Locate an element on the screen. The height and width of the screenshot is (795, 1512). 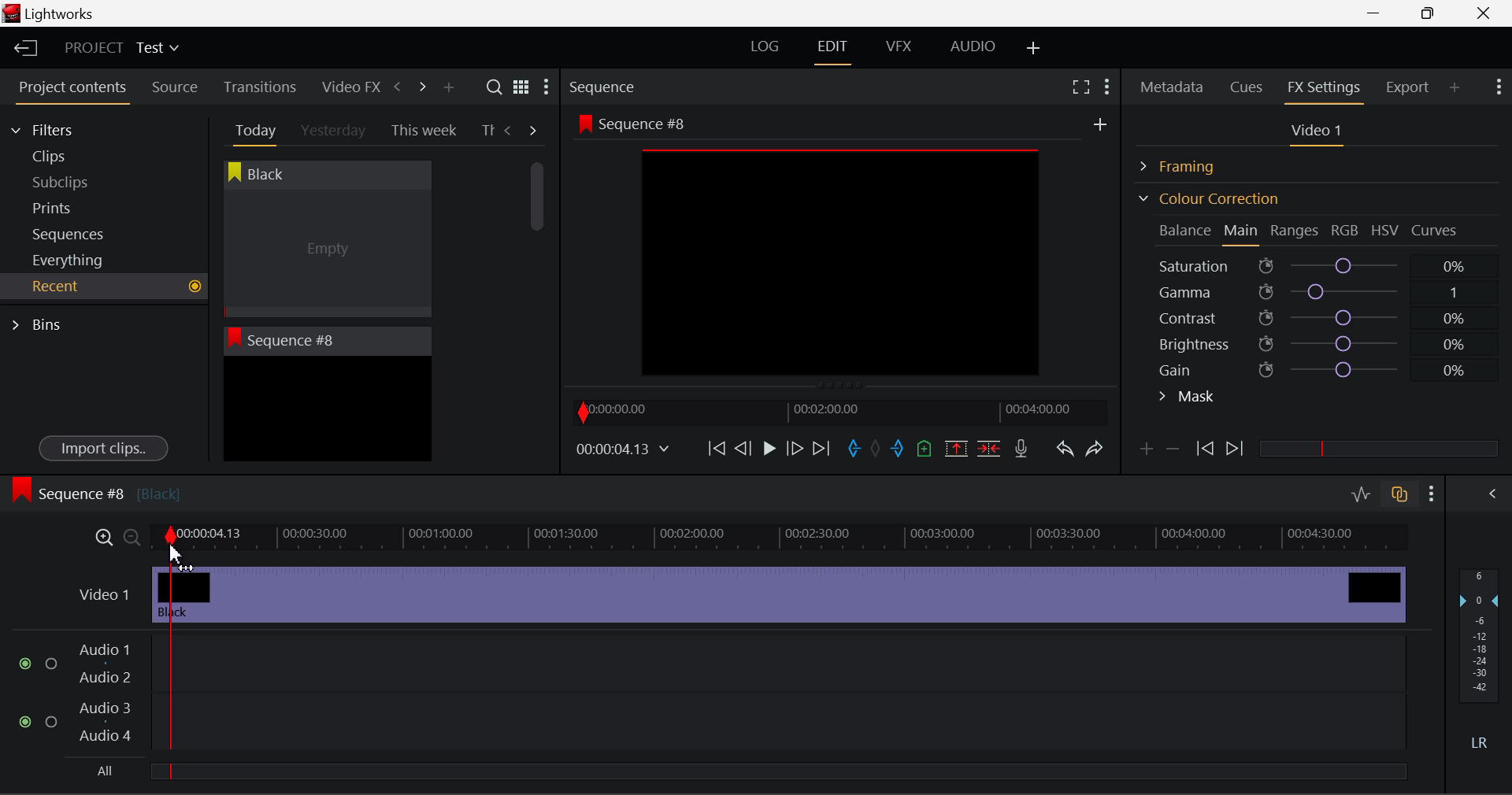
RGB is located at coordinates (1346, 231).